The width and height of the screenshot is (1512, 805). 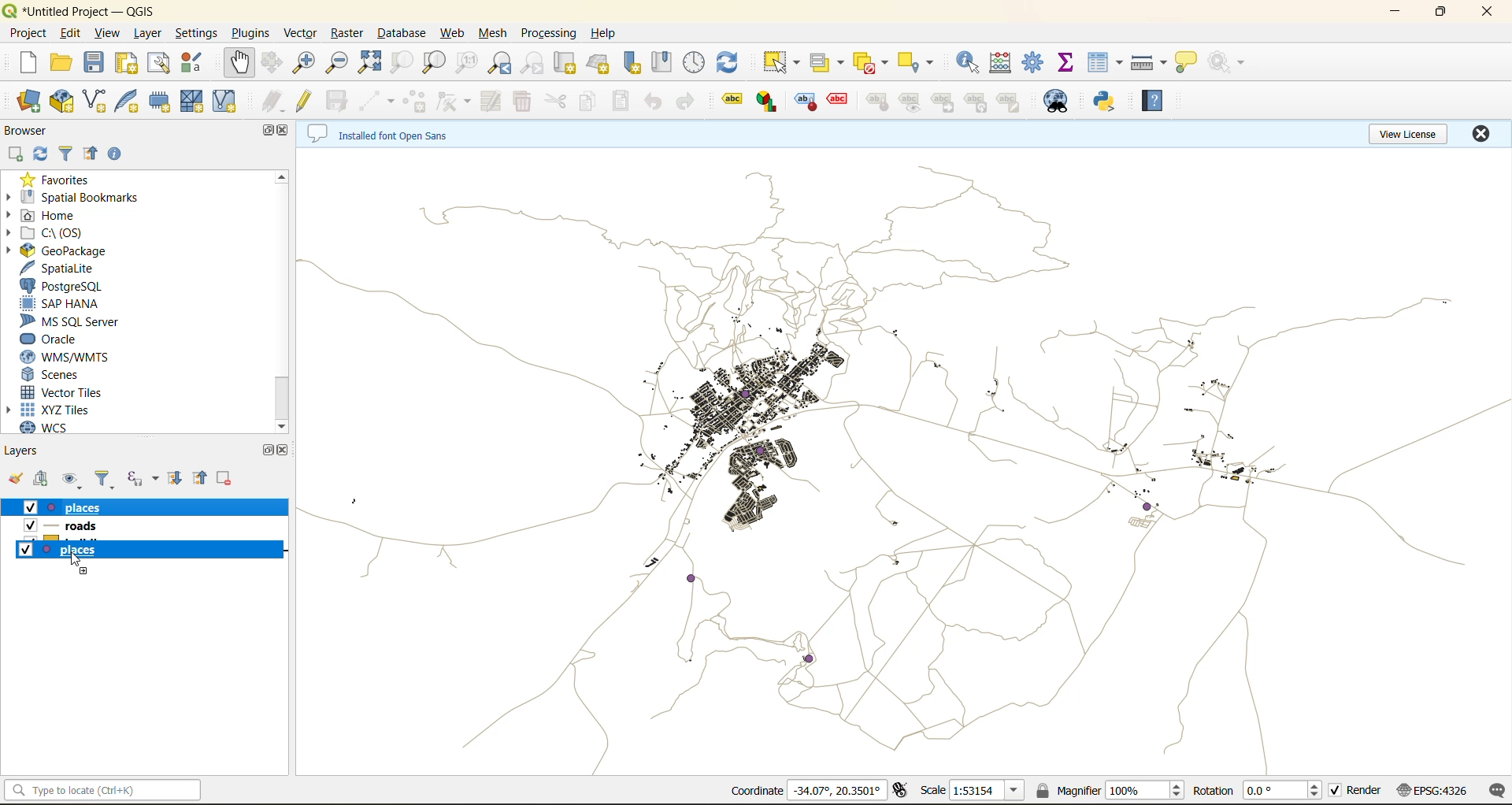 What do you see at coordinates (1257, 790) in the screenshot?
I see `rotation` at bounding box center [1257, 790].